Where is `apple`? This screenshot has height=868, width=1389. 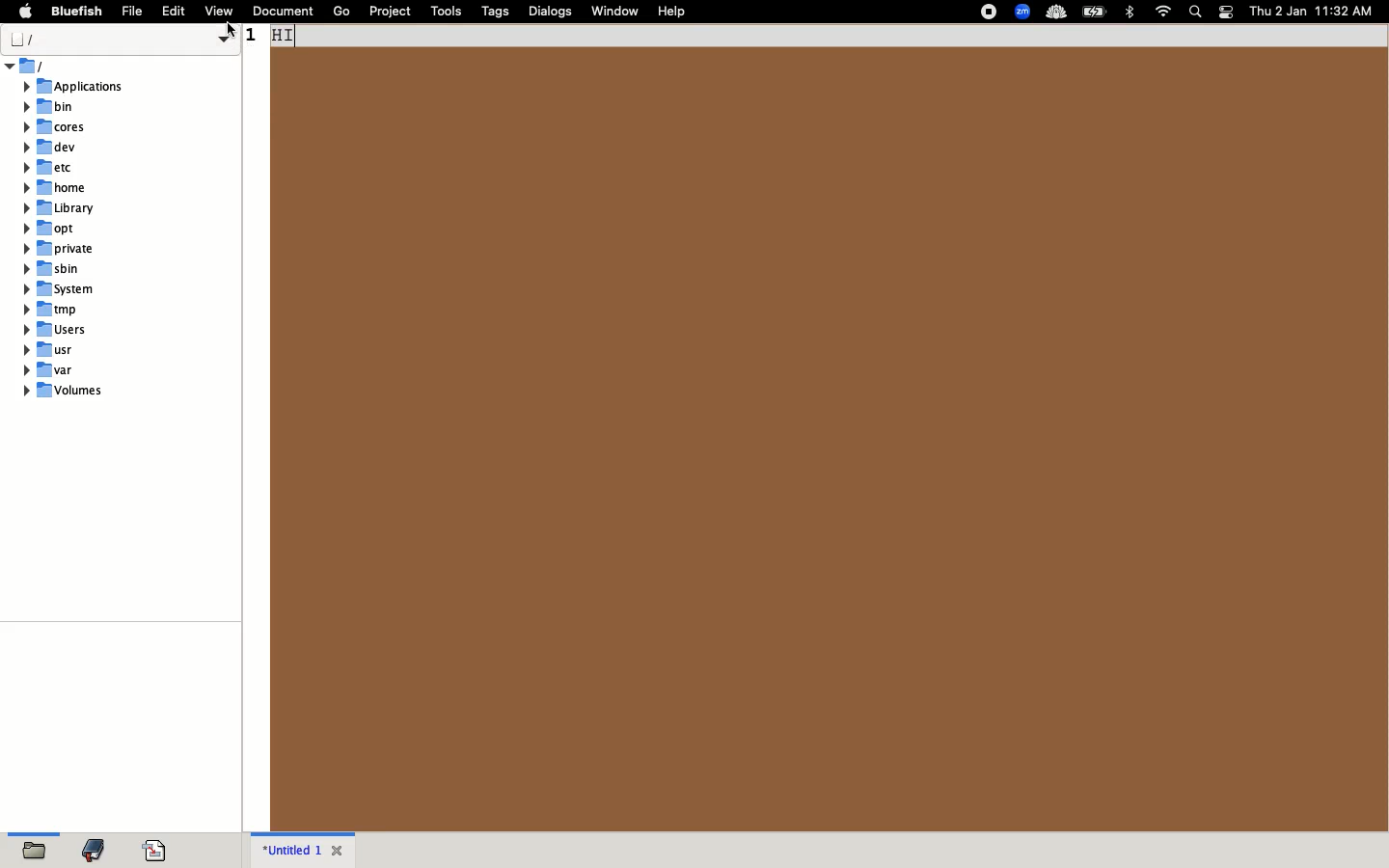
apple is located at coordinates (24, 12).